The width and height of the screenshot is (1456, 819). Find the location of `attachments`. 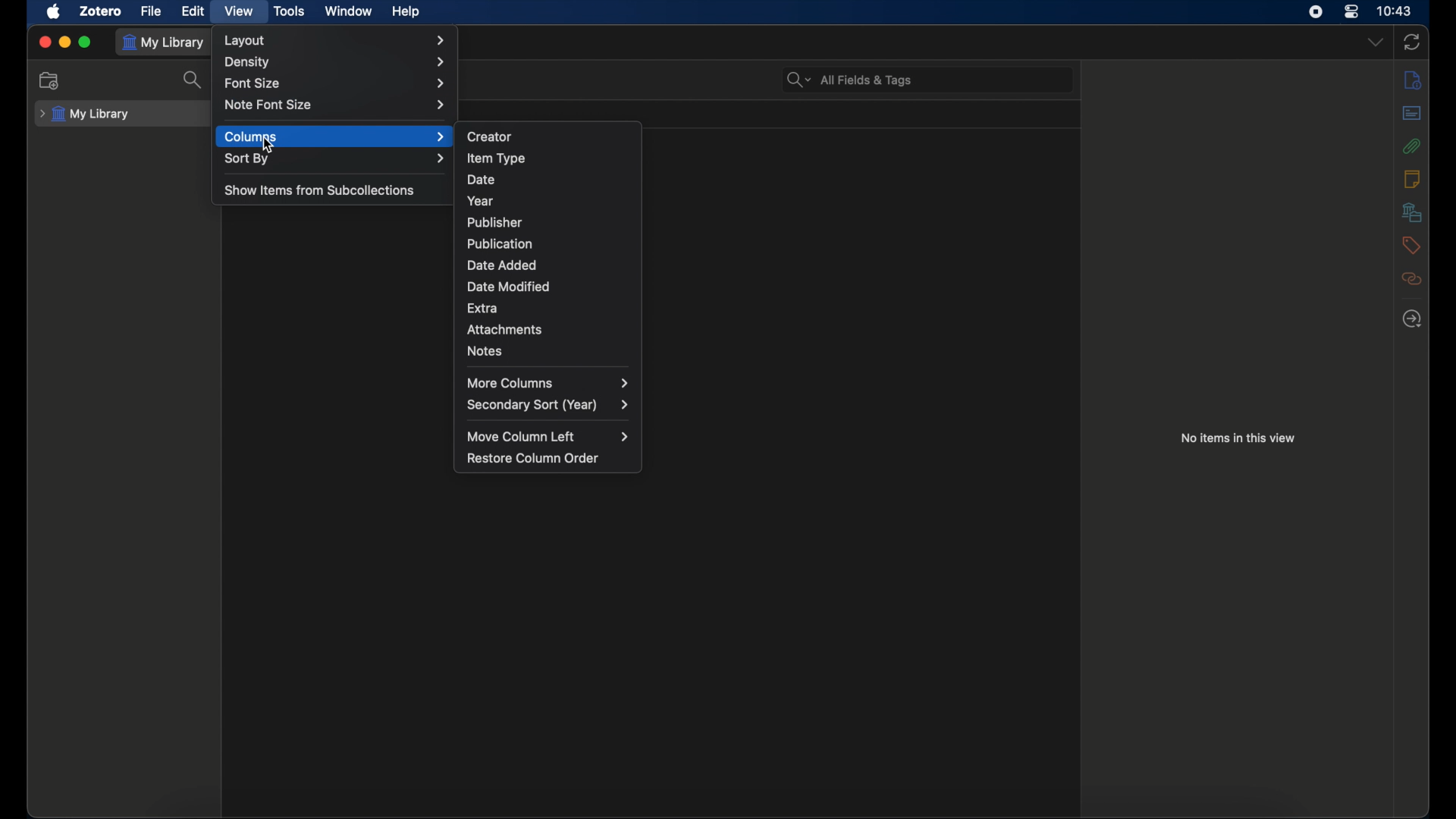

attachments is located at coordinates (1411, 146).